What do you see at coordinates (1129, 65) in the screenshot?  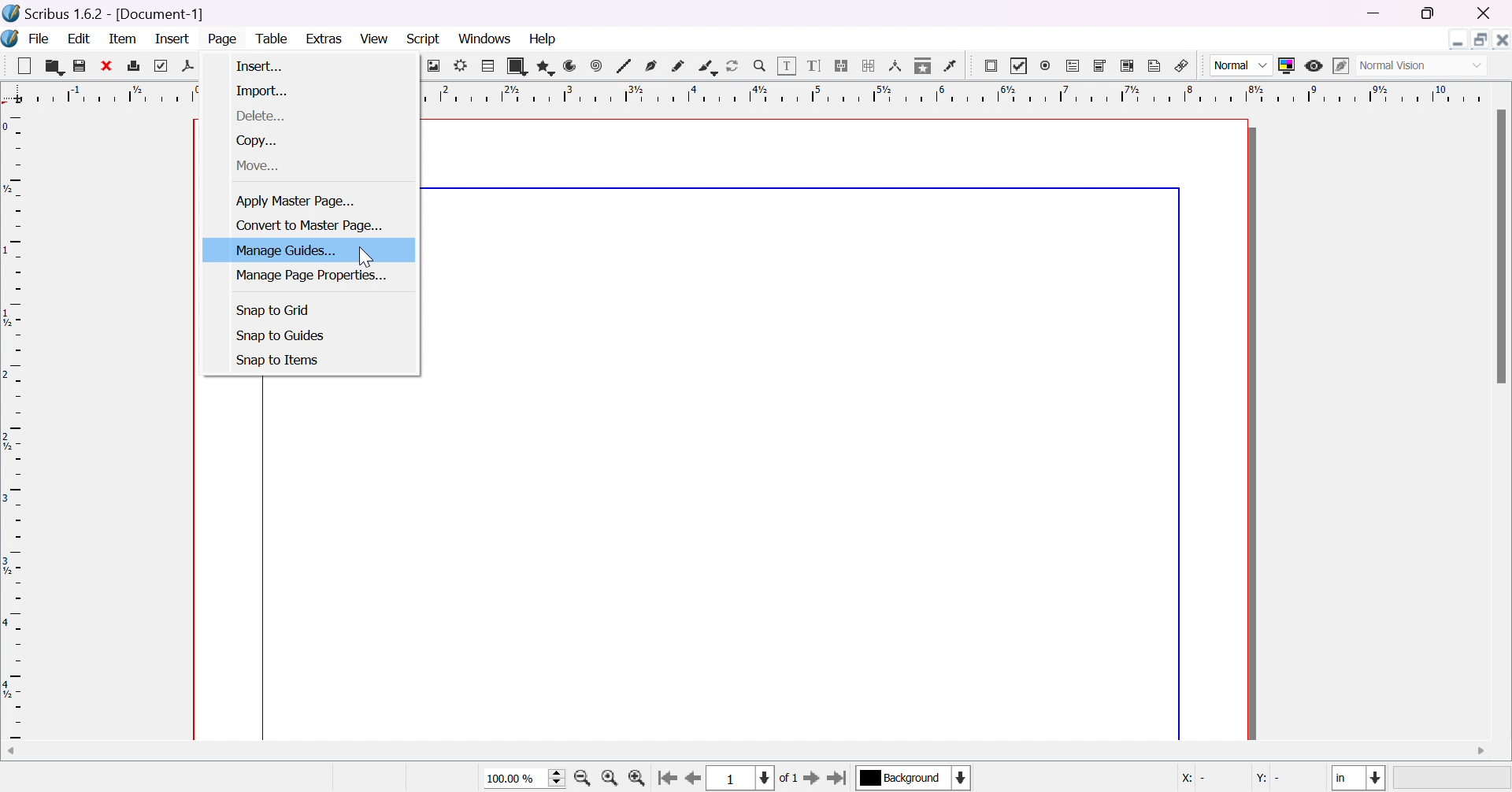 I see `PDF list box` at bounding box center [1129, 65].